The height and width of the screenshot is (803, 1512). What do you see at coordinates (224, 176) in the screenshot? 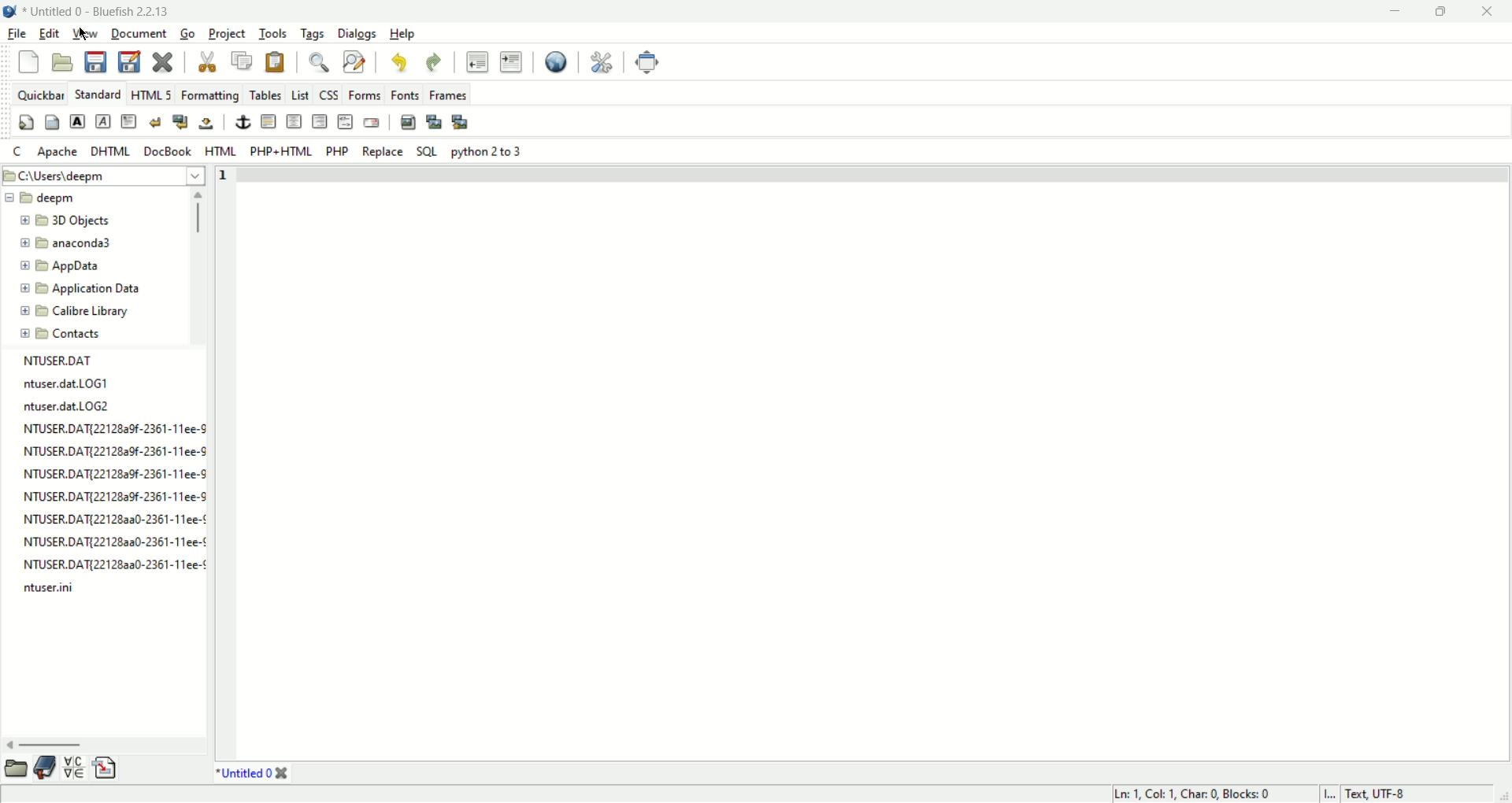
I see `line number` at bounding box center [224, 176].